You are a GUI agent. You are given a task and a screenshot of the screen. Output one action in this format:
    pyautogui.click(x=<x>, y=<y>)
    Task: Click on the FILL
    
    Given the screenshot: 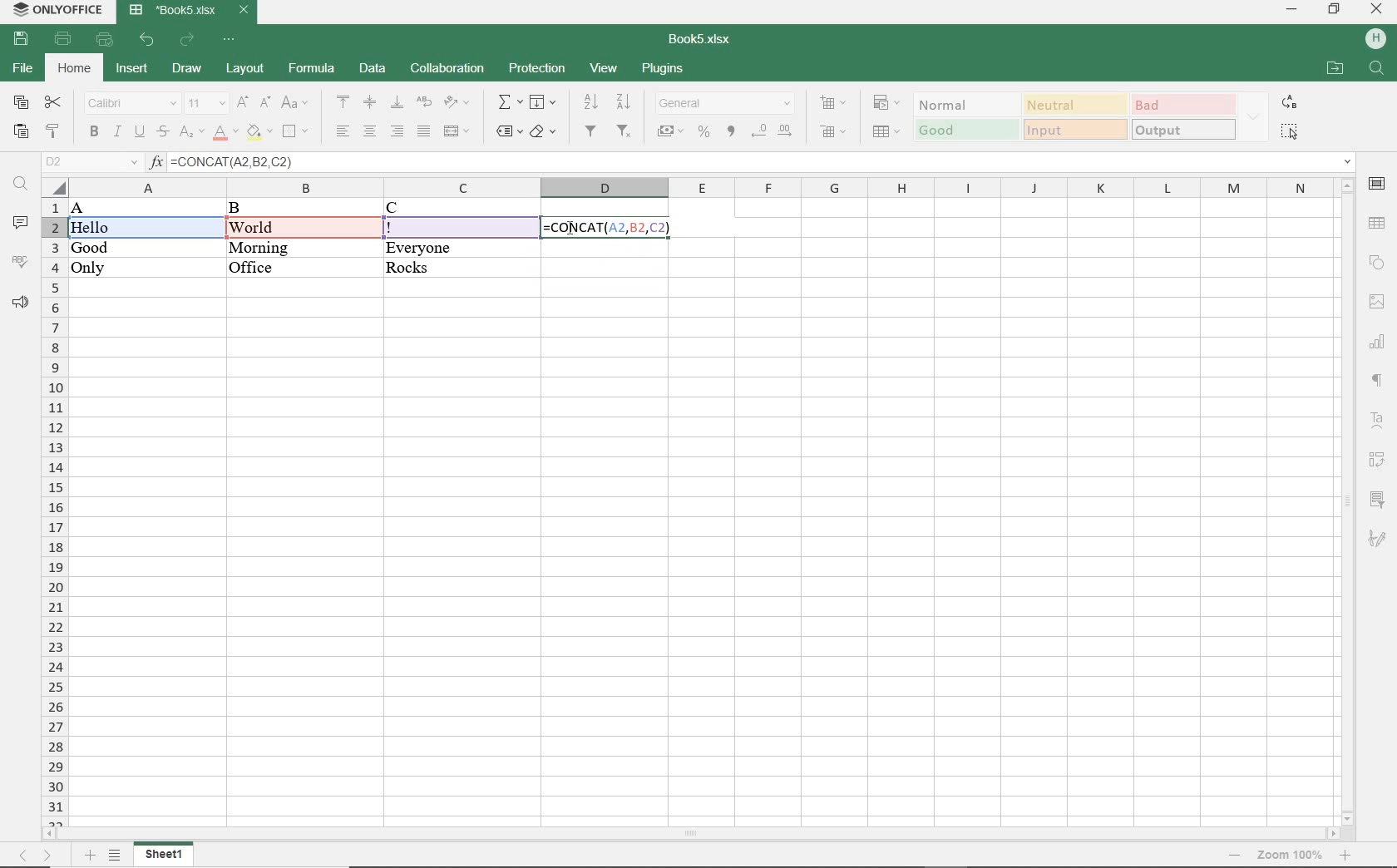 What is the action you would take?
    pyautogui.click(x=545, y=102)
    